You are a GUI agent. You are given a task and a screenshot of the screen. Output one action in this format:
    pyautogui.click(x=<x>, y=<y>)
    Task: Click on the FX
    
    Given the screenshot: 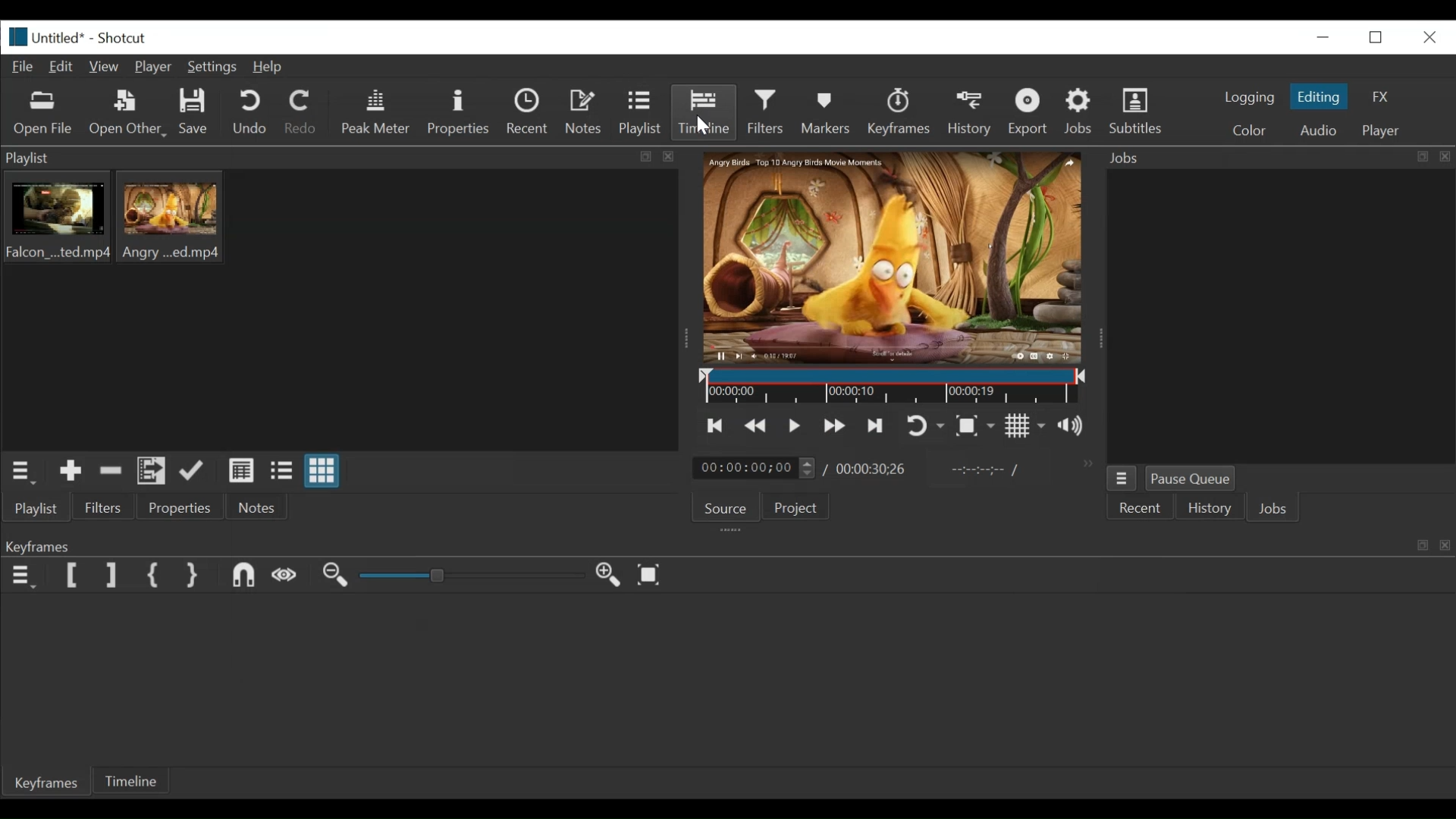 What is the action you would take?
    pyautogui.click(x=1381, y=97)
    